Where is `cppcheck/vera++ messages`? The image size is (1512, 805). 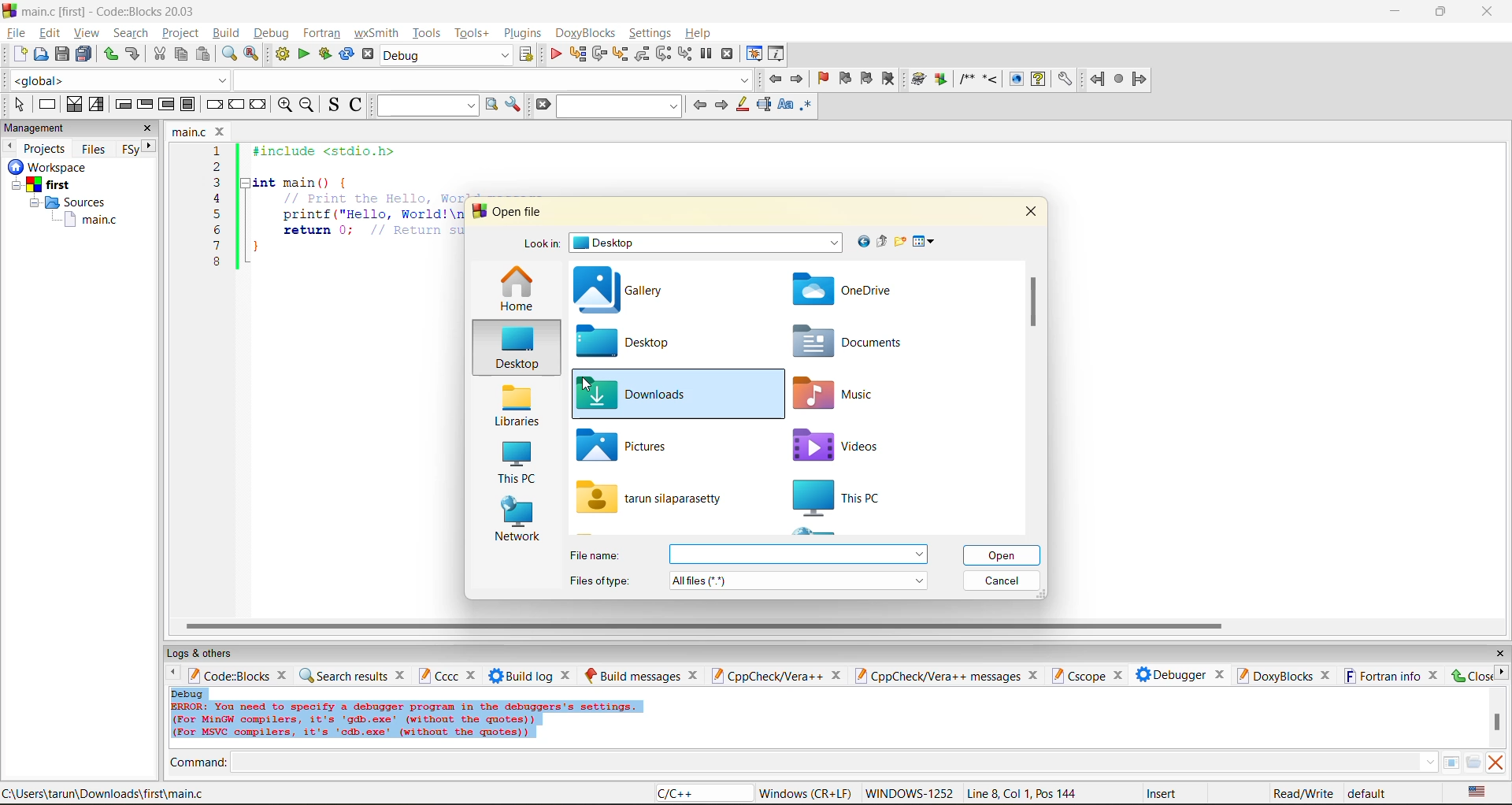 cppcheck/vera++ messages is located at coordinates (936, 676).